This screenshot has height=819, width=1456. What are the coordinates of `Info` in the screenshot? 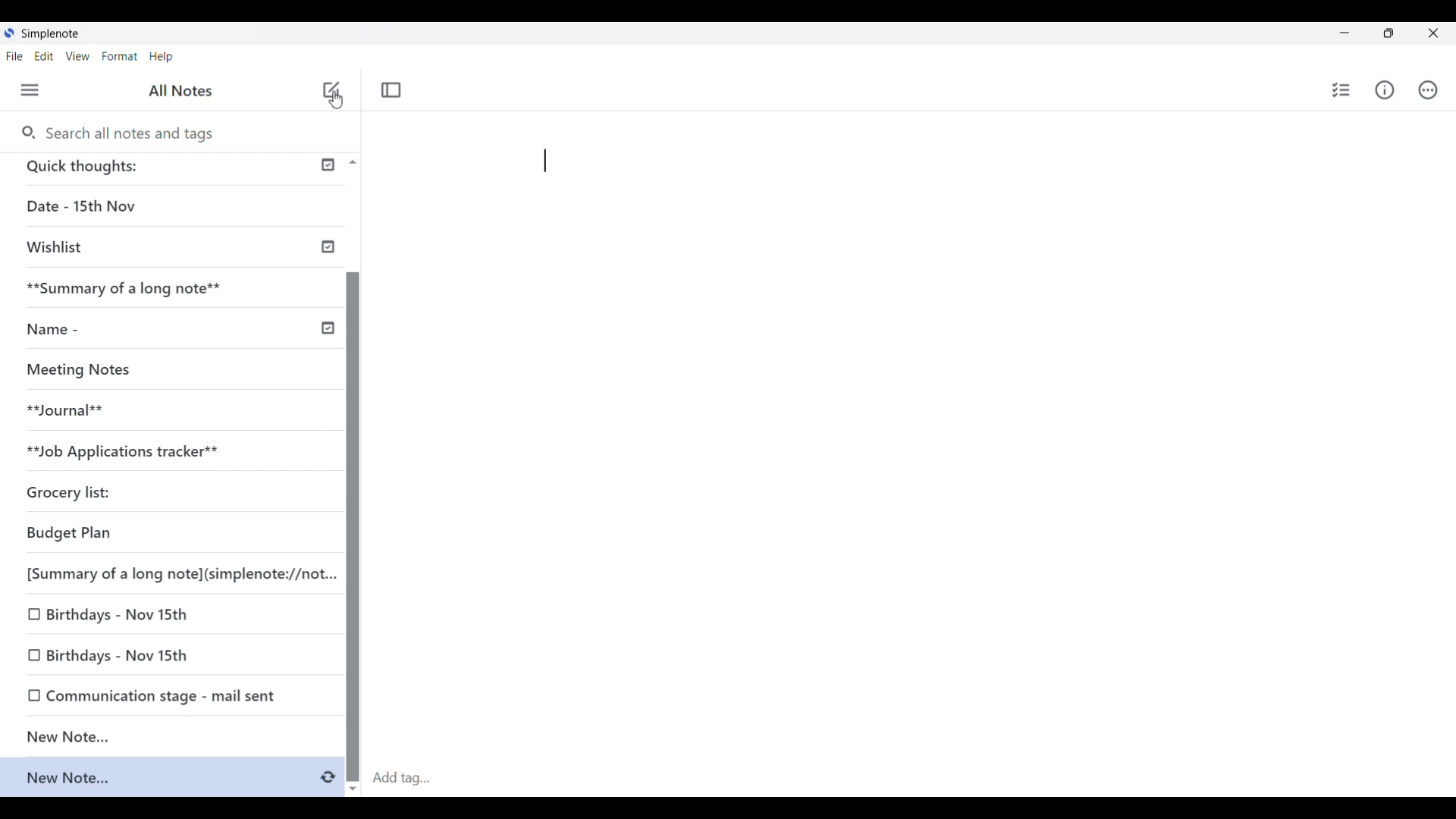 It's located at (1385, 90).